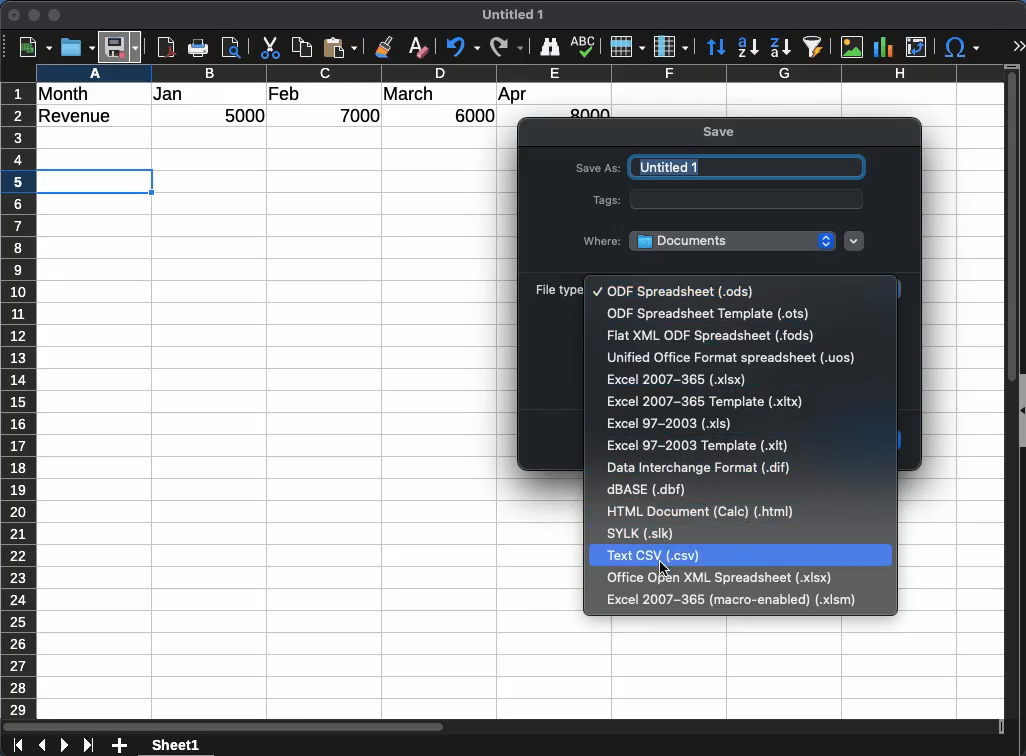 This screenshot has height=756, width=1026. I want to click on last sheet, so click(88, 746).